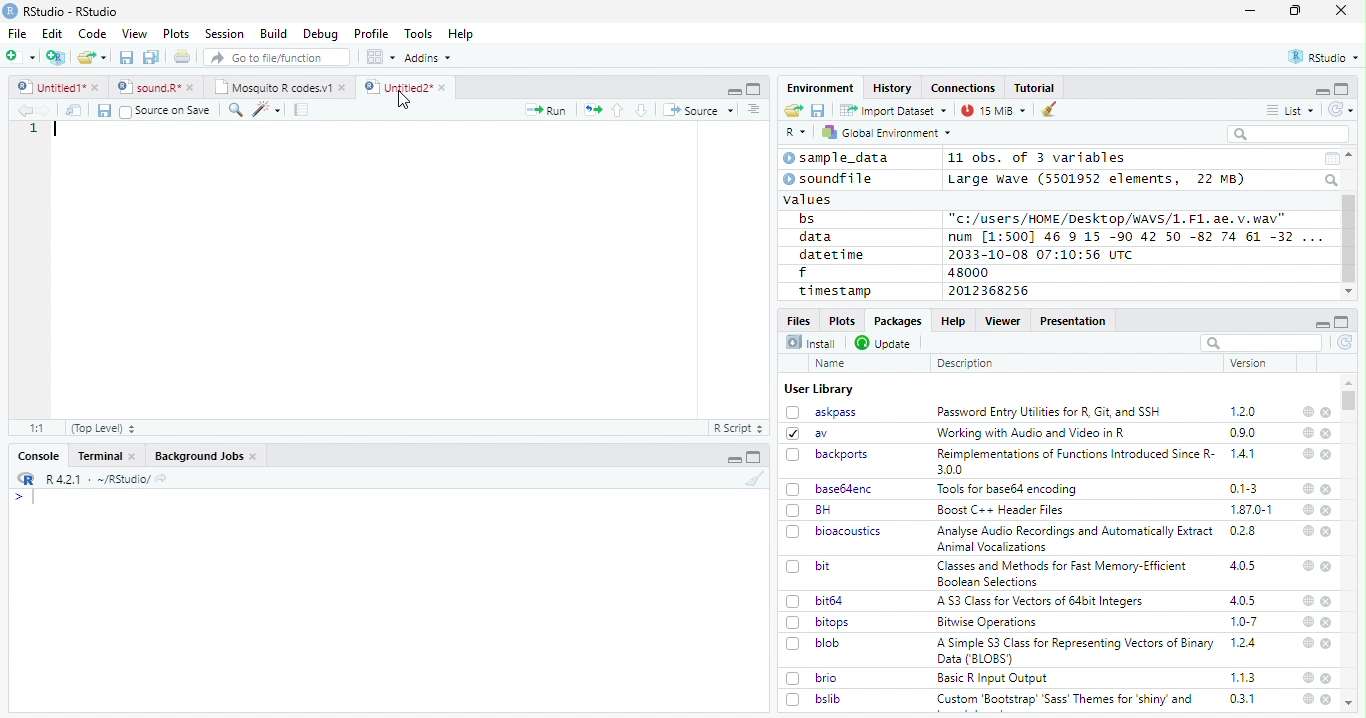  I want to click on Plots, so click(841, 320).